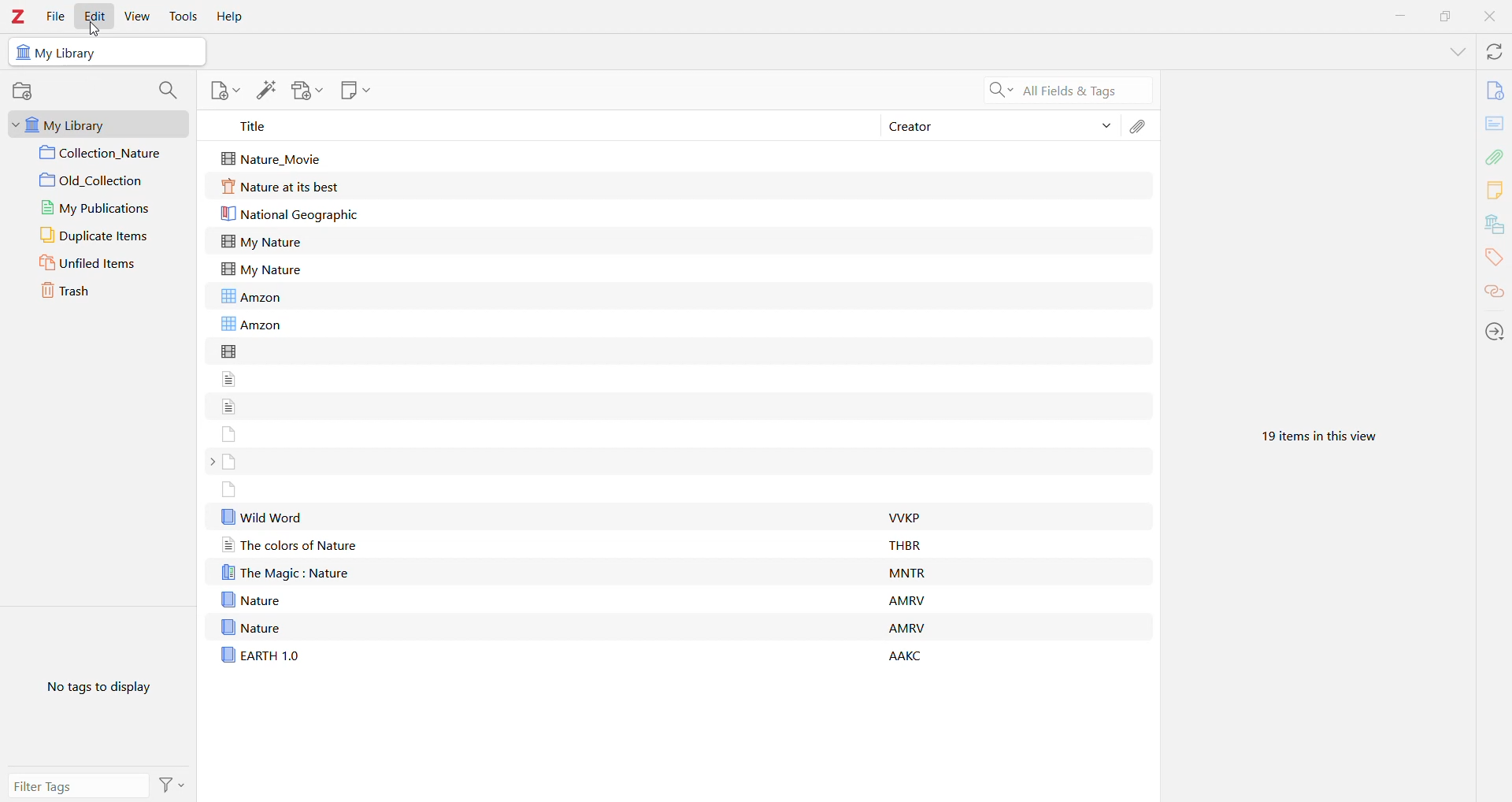 This screenshot has width=1512, height=802. I want to click on My Library, so click(94, 123).